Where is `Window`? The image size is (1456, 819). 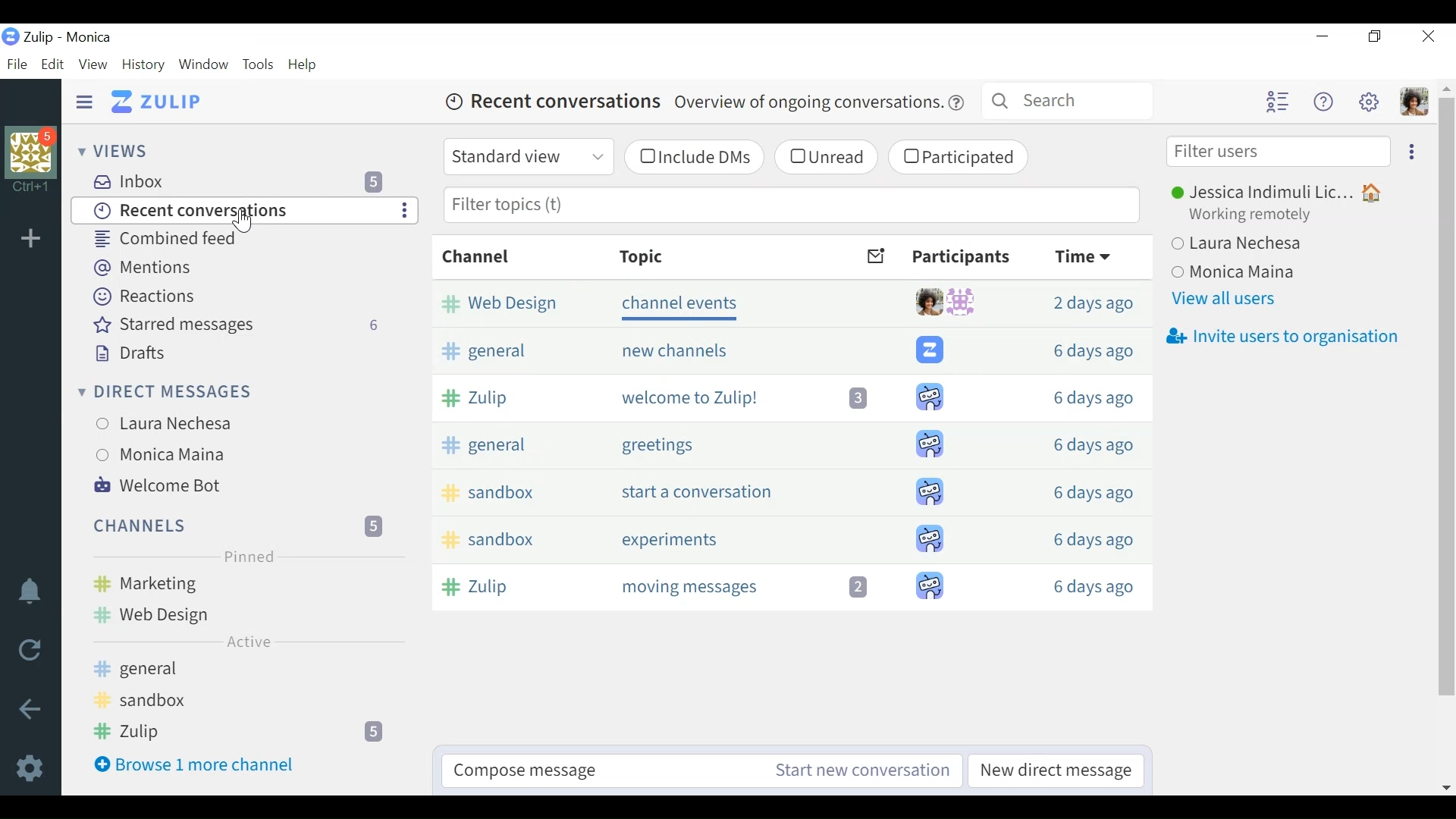 Window is located at coordinates (206, 65).